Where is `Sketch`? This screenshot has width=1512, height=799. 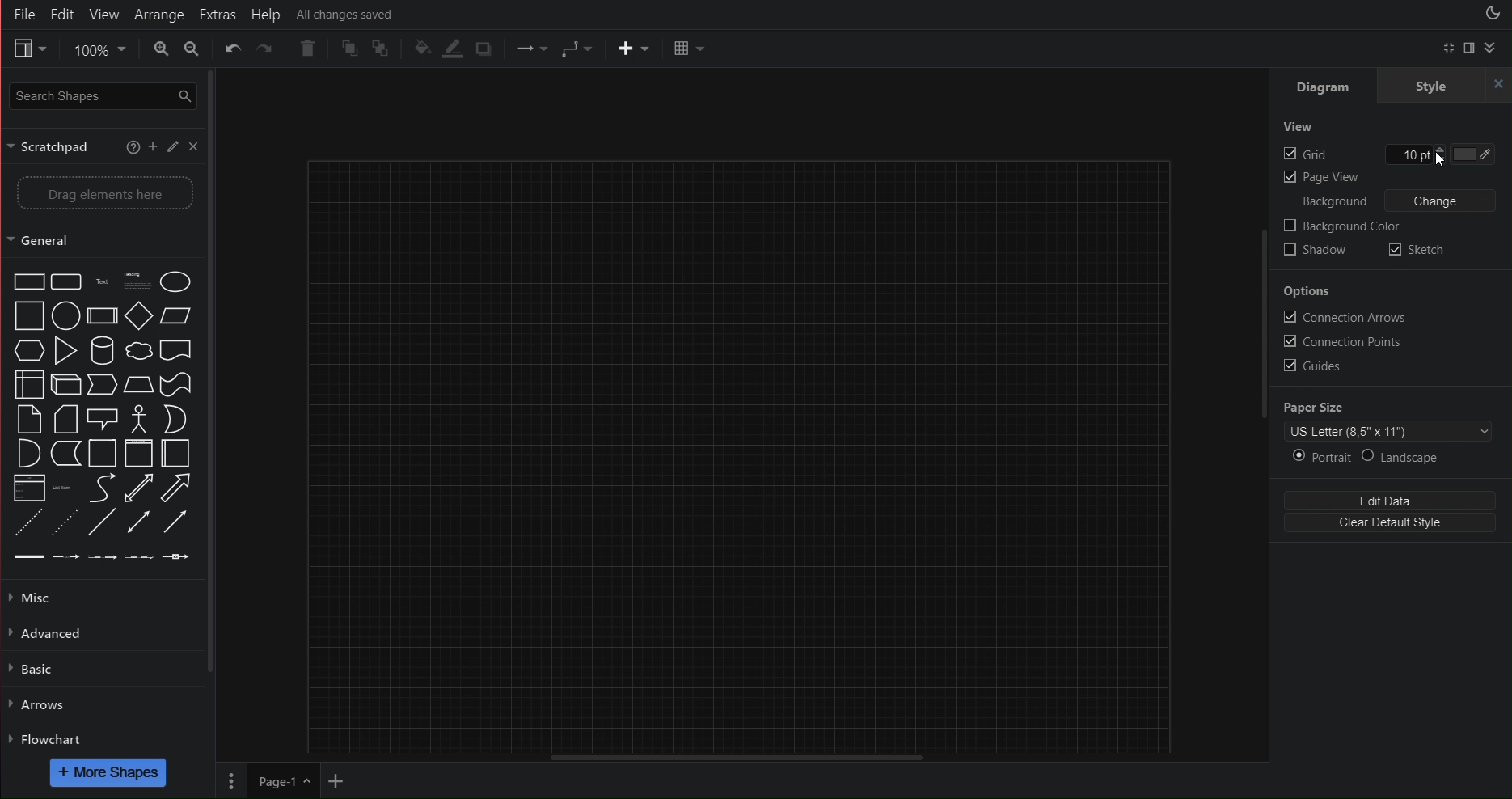
Sketch is located at coordinates (1416, 252).